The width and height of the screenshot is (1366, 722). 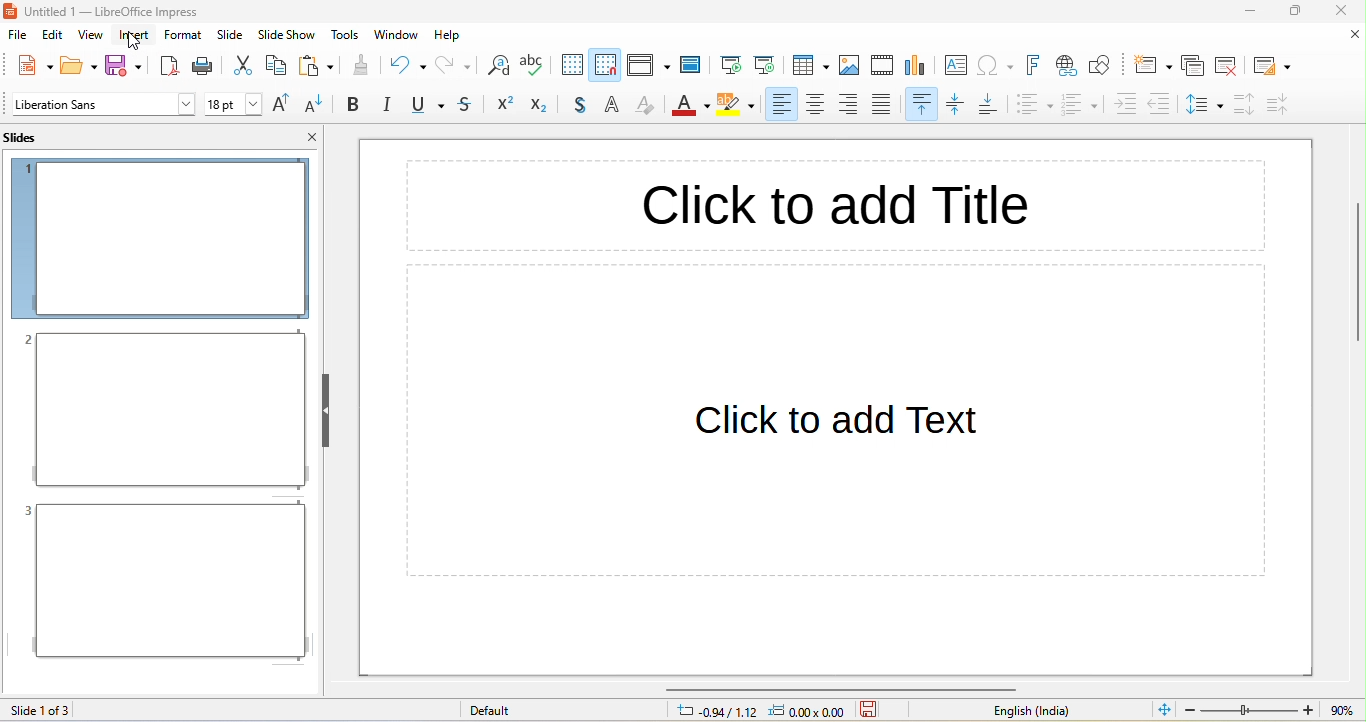 I want to click on set line spacing, so click(x=1204, y=107).